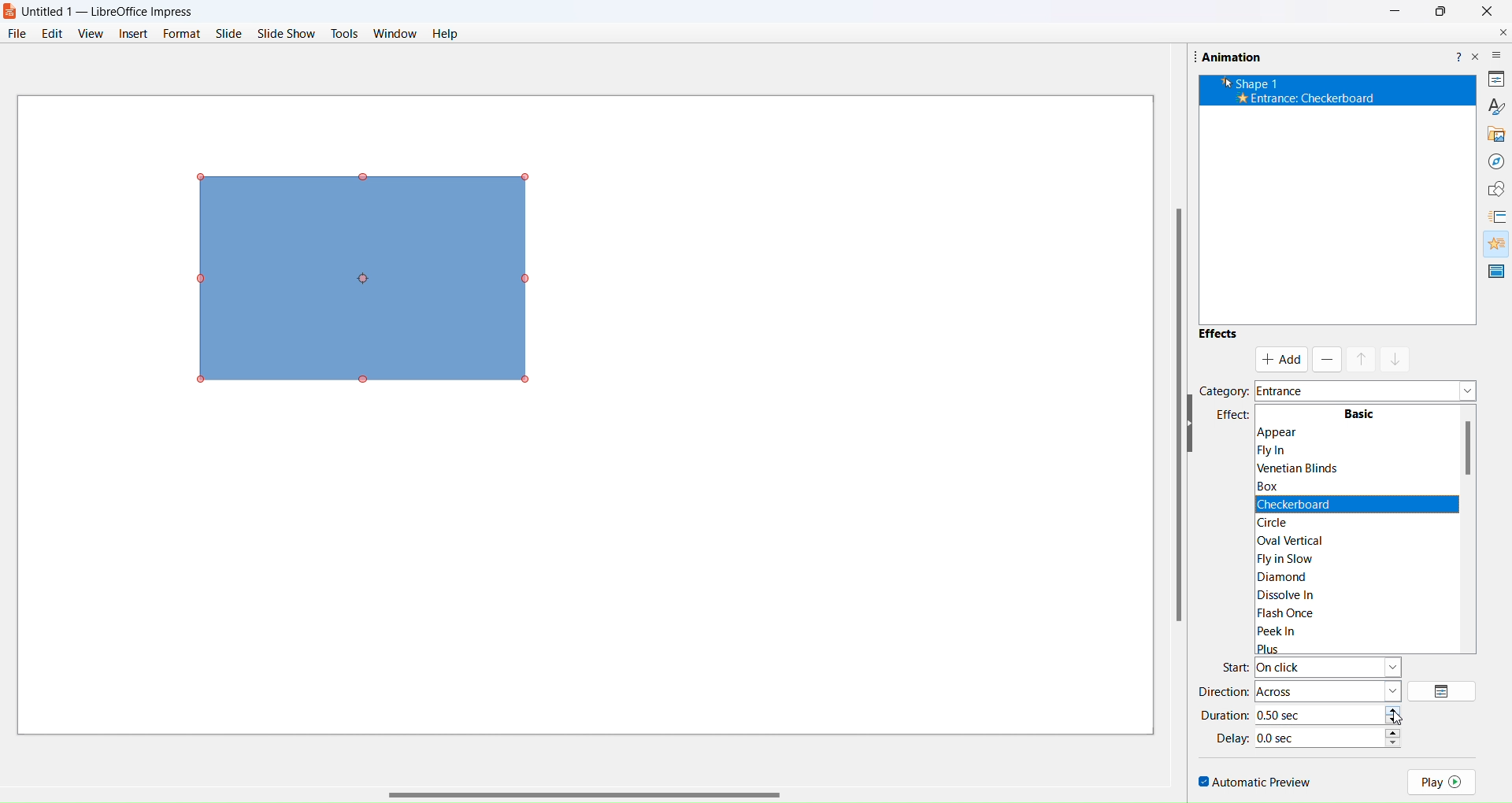 The height and width of the screenshot is (803, 1512). I want to click on hide, so click(1194, 426).